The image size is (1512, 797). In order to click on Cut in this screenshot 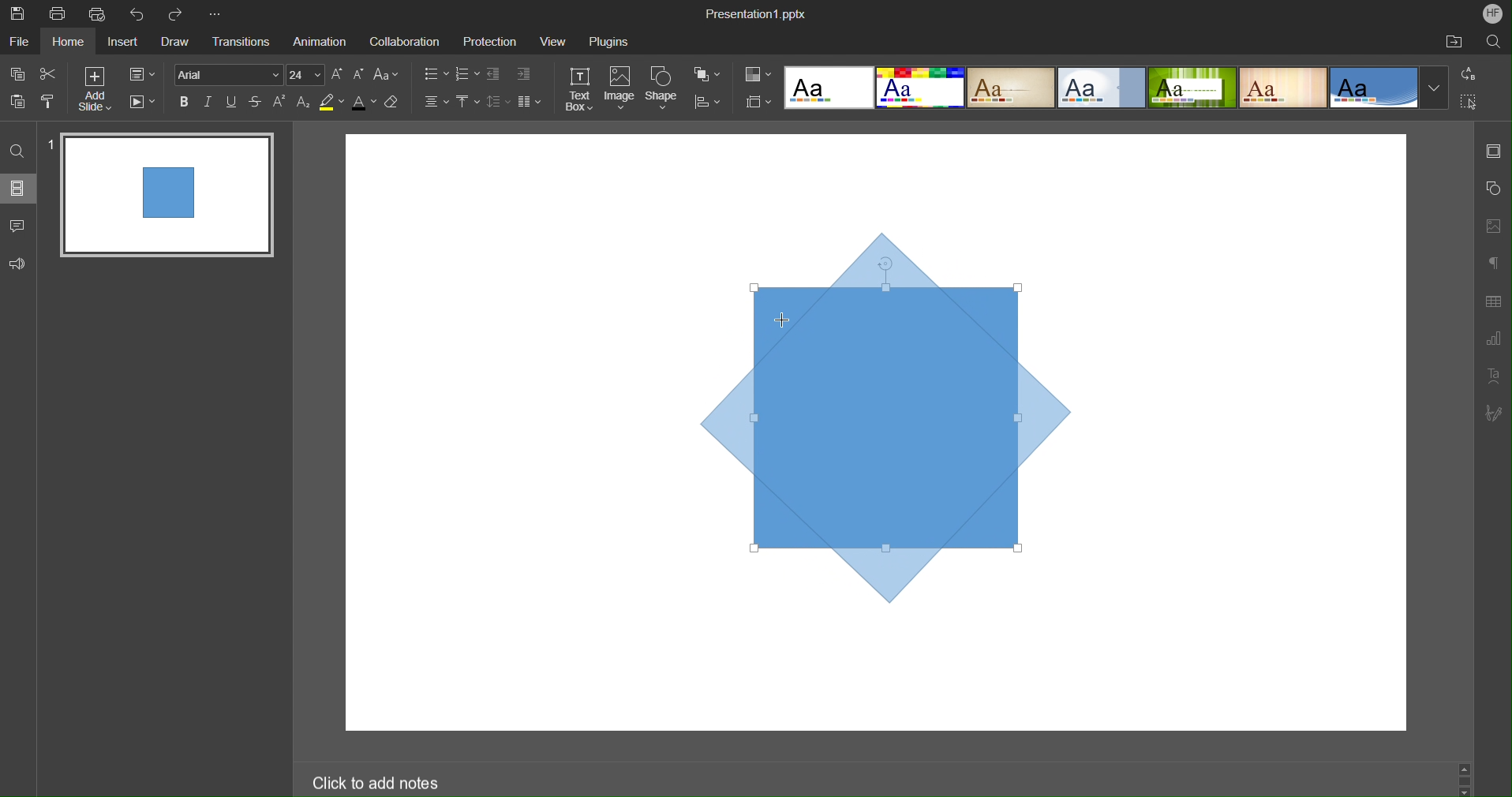, I will do `click(46, 73)`.